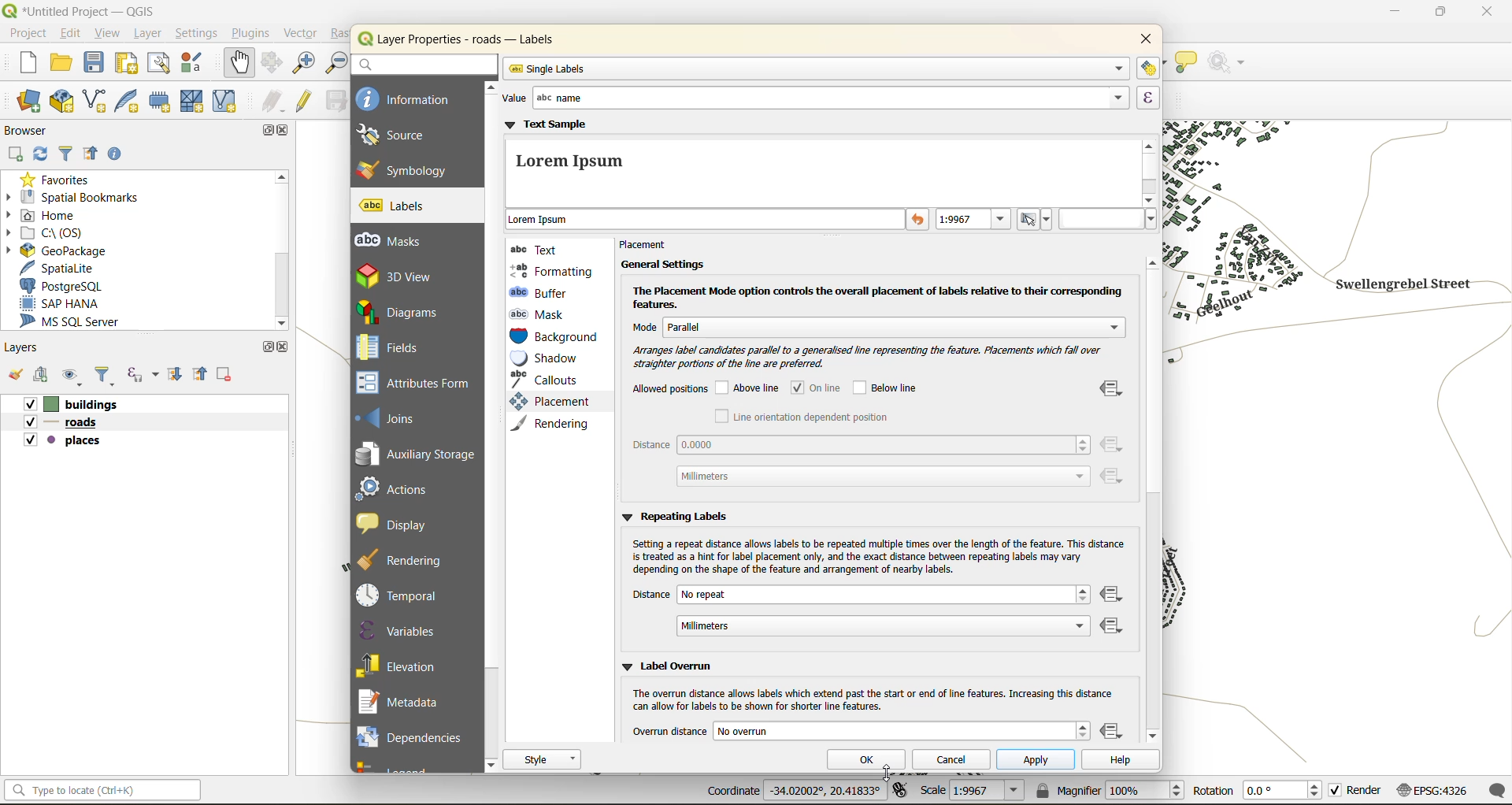 This screenshot has width=1512, height=805. I want to click on filter by expression, so click(143, 375).